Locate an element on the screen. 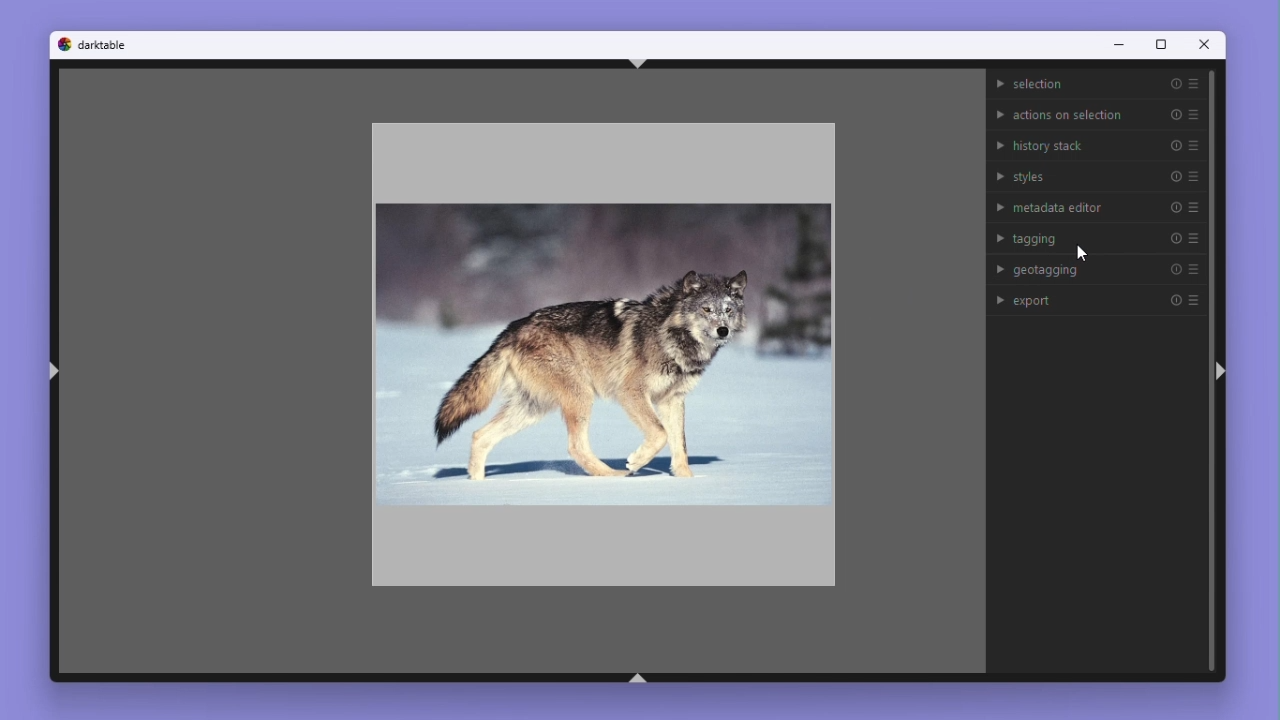 The image size is (1280, 720). ctrl+shift+t is located at coordinates (638, 63).